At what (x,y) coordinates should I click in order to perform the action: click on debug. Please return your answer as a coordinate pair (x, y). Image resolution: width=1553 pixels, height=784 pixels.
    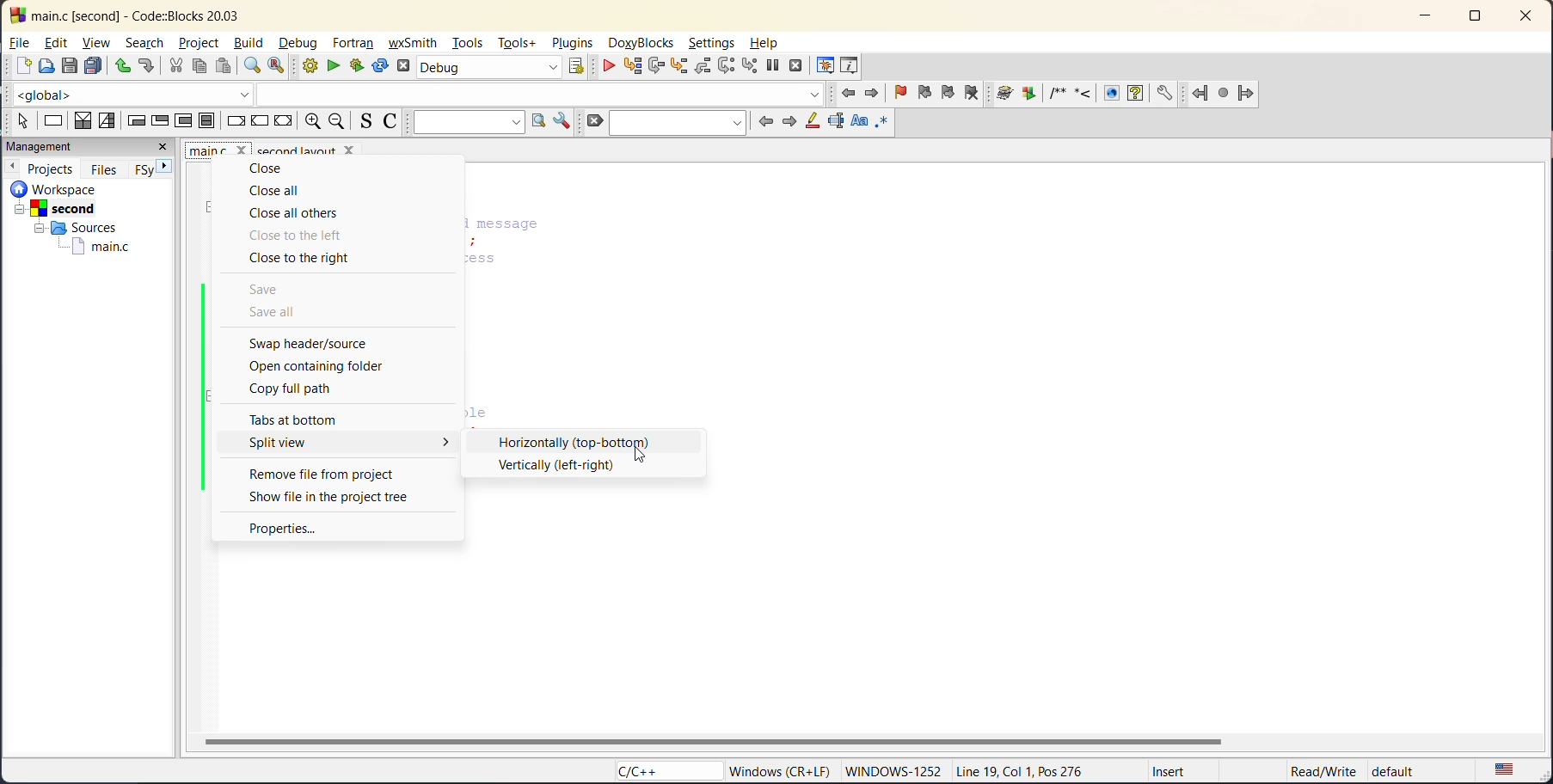
    Looking at the image, I should click on (301, 41).